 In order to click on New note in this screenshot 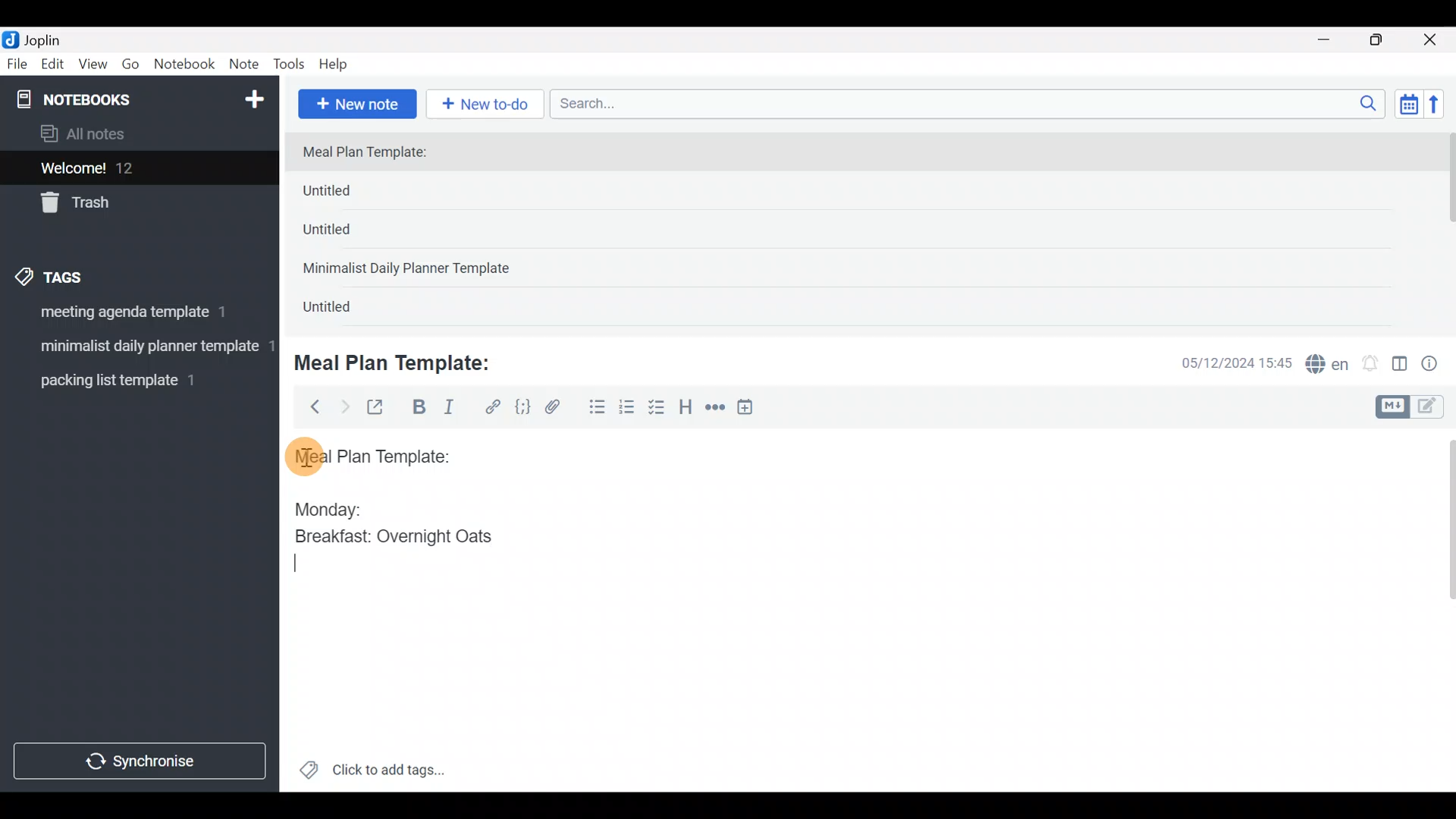, I will do `click(356, 102)`.